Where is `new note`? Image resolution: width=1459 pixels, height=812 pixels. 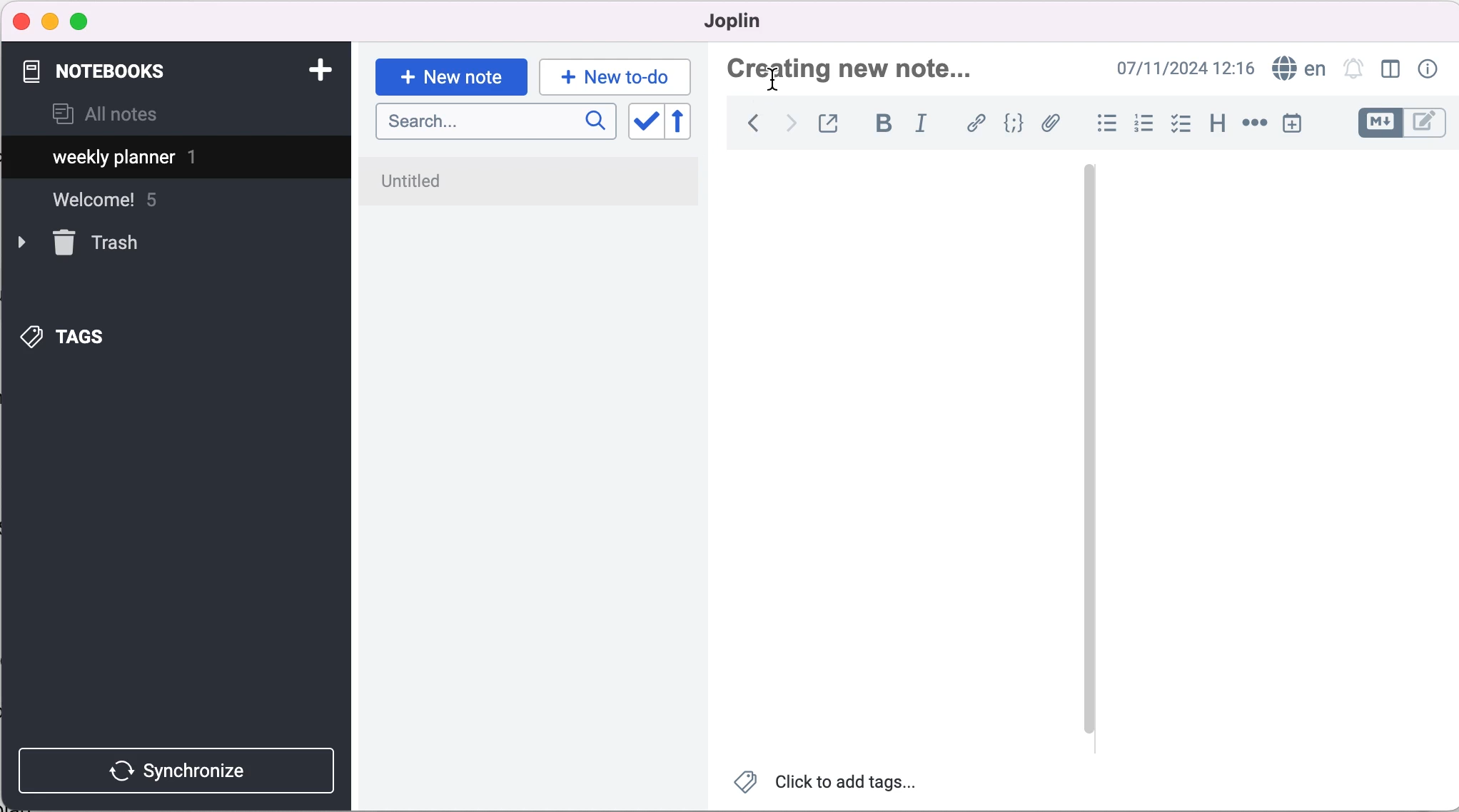
new note is located at coordinates (451, 76).